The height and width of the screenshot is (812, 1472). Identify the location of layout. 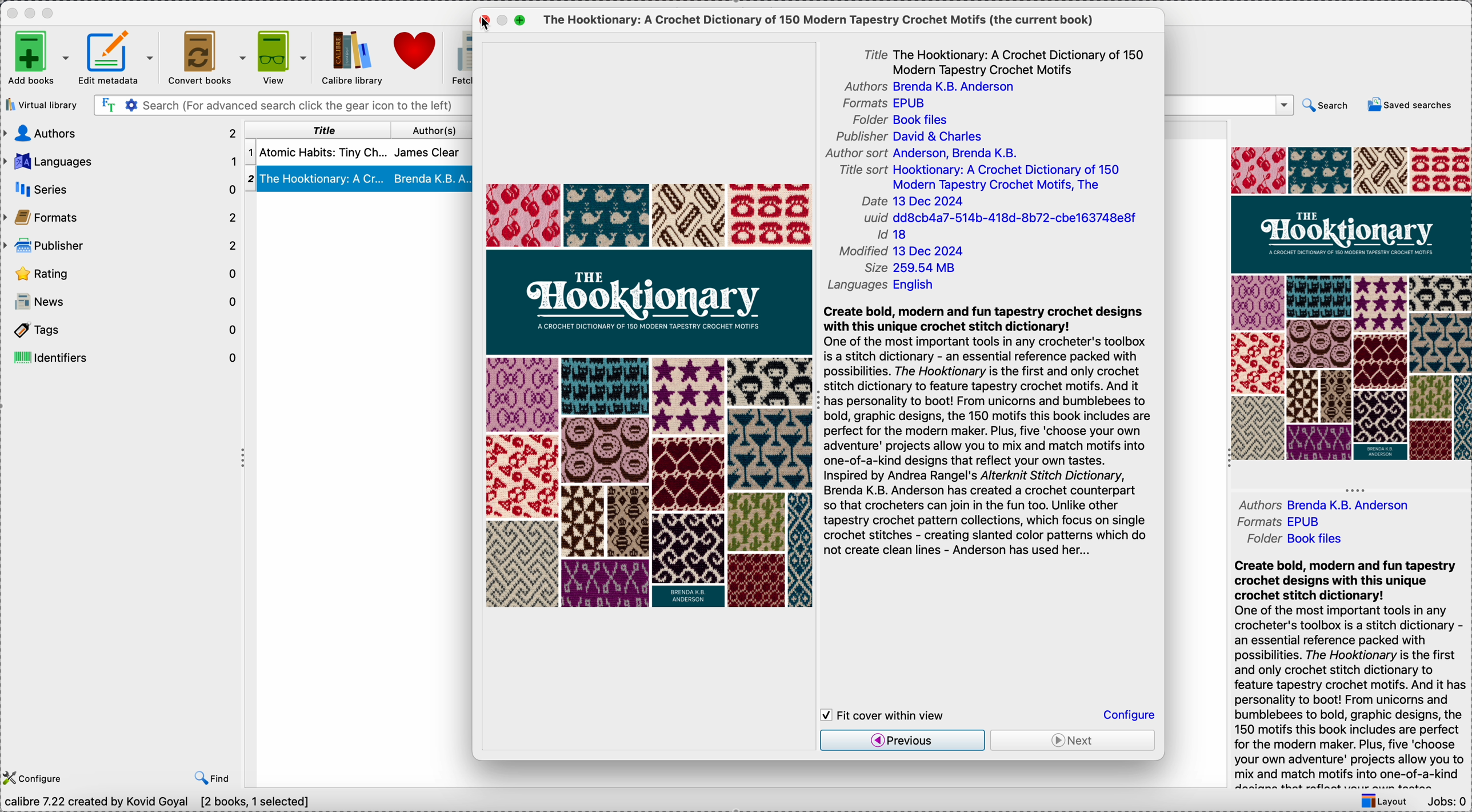
(1385, 800).